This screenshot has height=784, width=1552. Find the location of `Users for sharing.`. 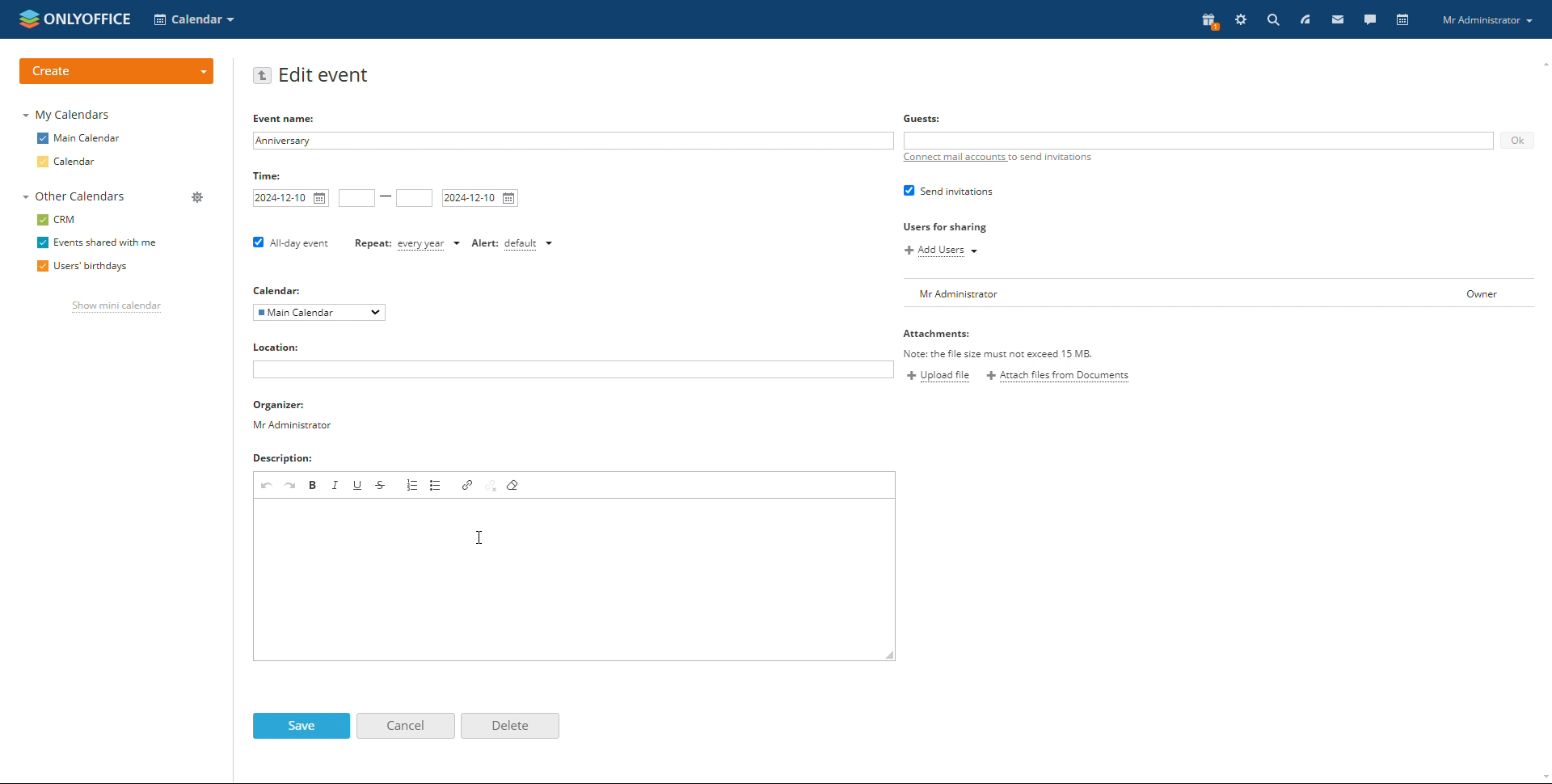

Users for sharing. is located at coordinates (945, 226).